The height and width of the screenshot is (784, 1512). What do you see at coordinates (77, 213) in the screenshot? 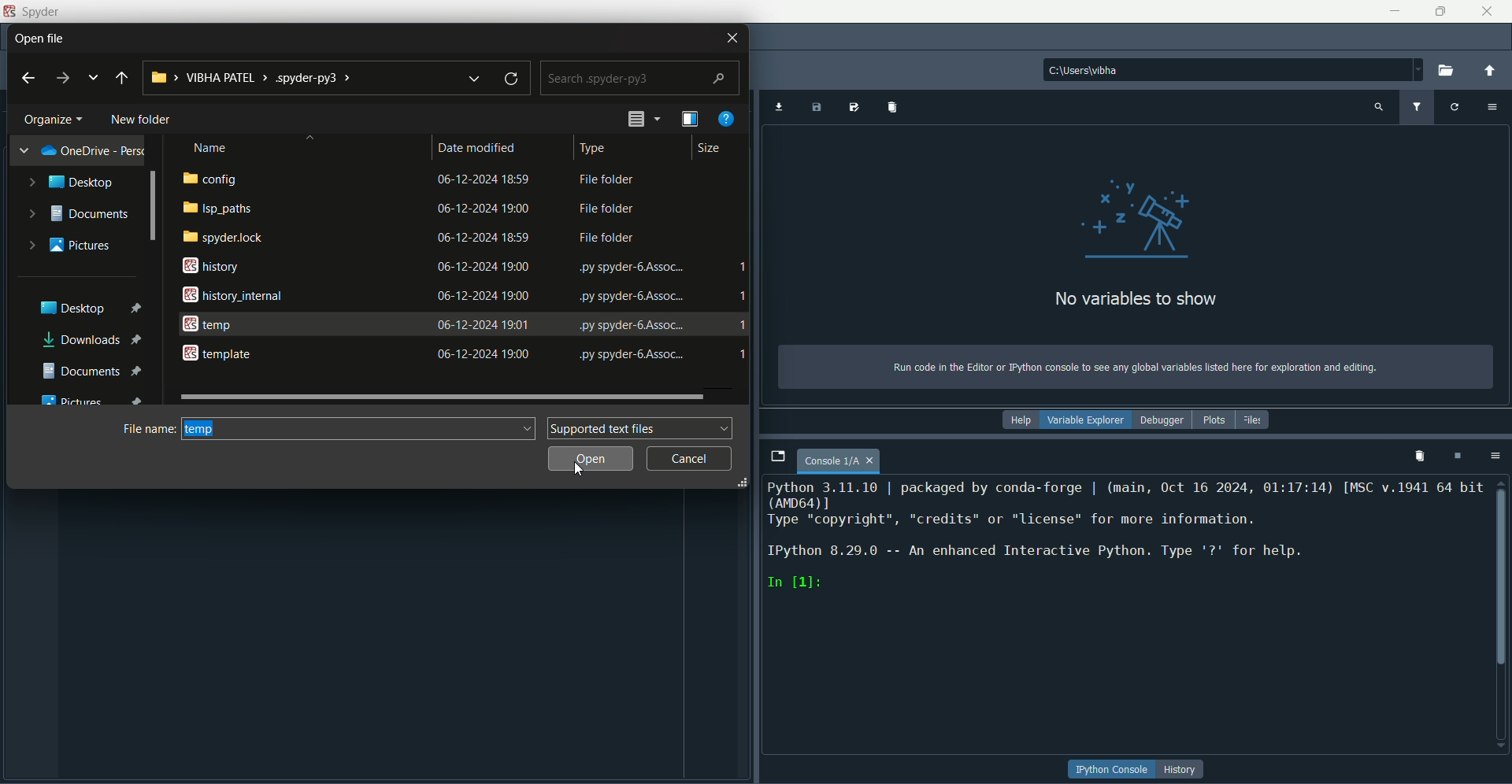
I see `documents` at bounding box center [77, 213].